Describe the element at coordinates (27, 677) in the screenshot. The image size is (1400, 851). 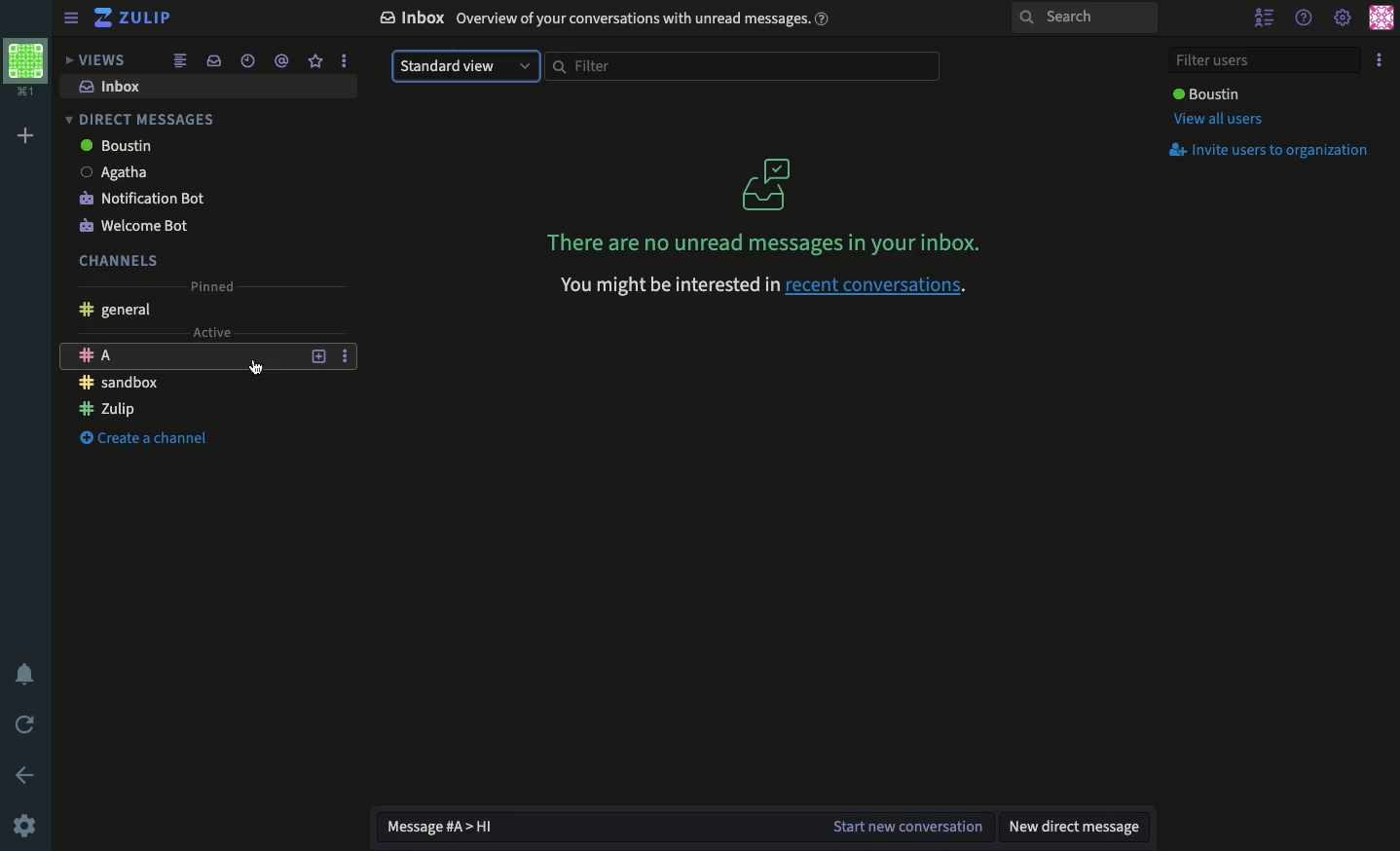
I see `Notification` at that location.